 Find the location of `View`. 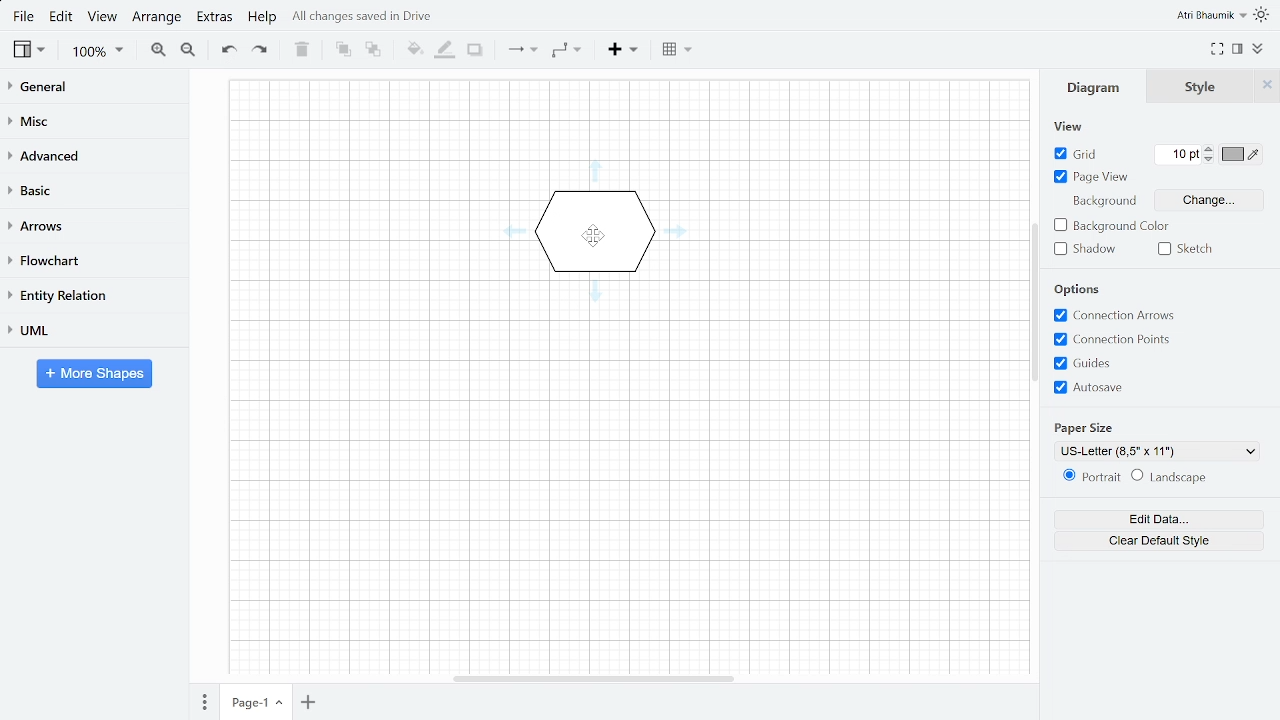

View is located at coordinates (1067, 126).